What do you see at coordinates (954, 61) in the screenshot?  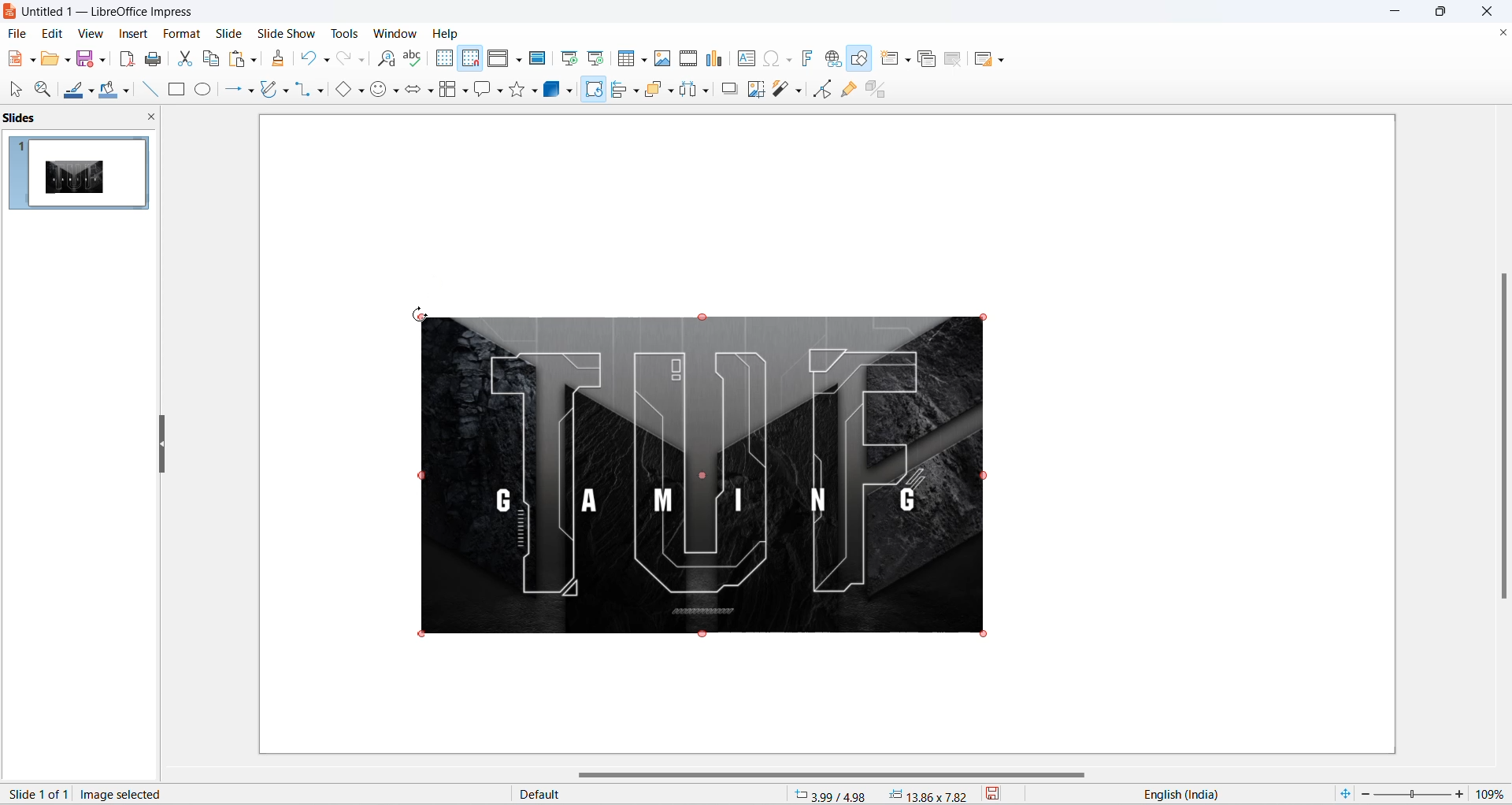 I see `delete slide` at bounding box center [954, 61].